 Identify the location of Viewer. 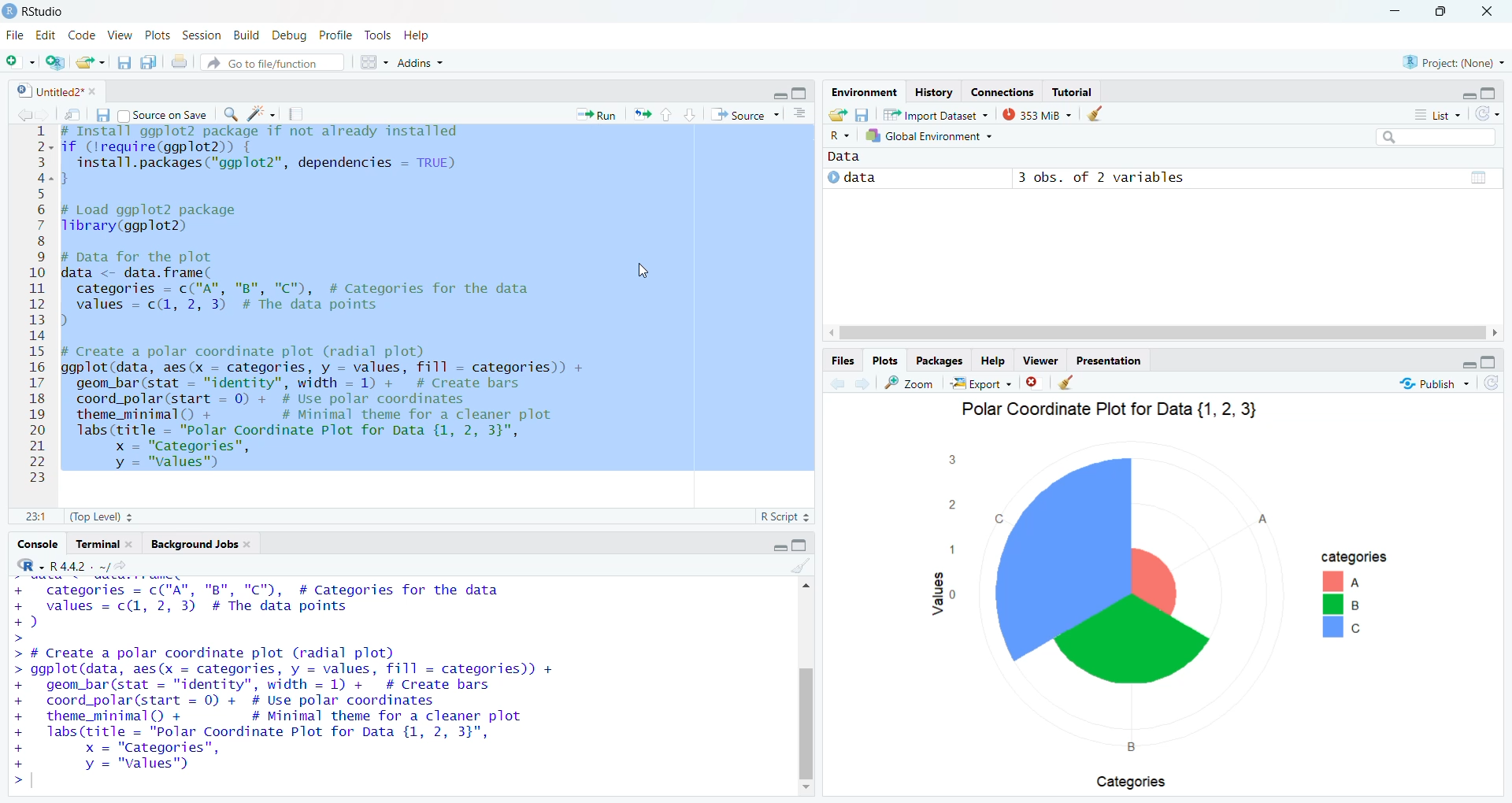
(1041, 359).